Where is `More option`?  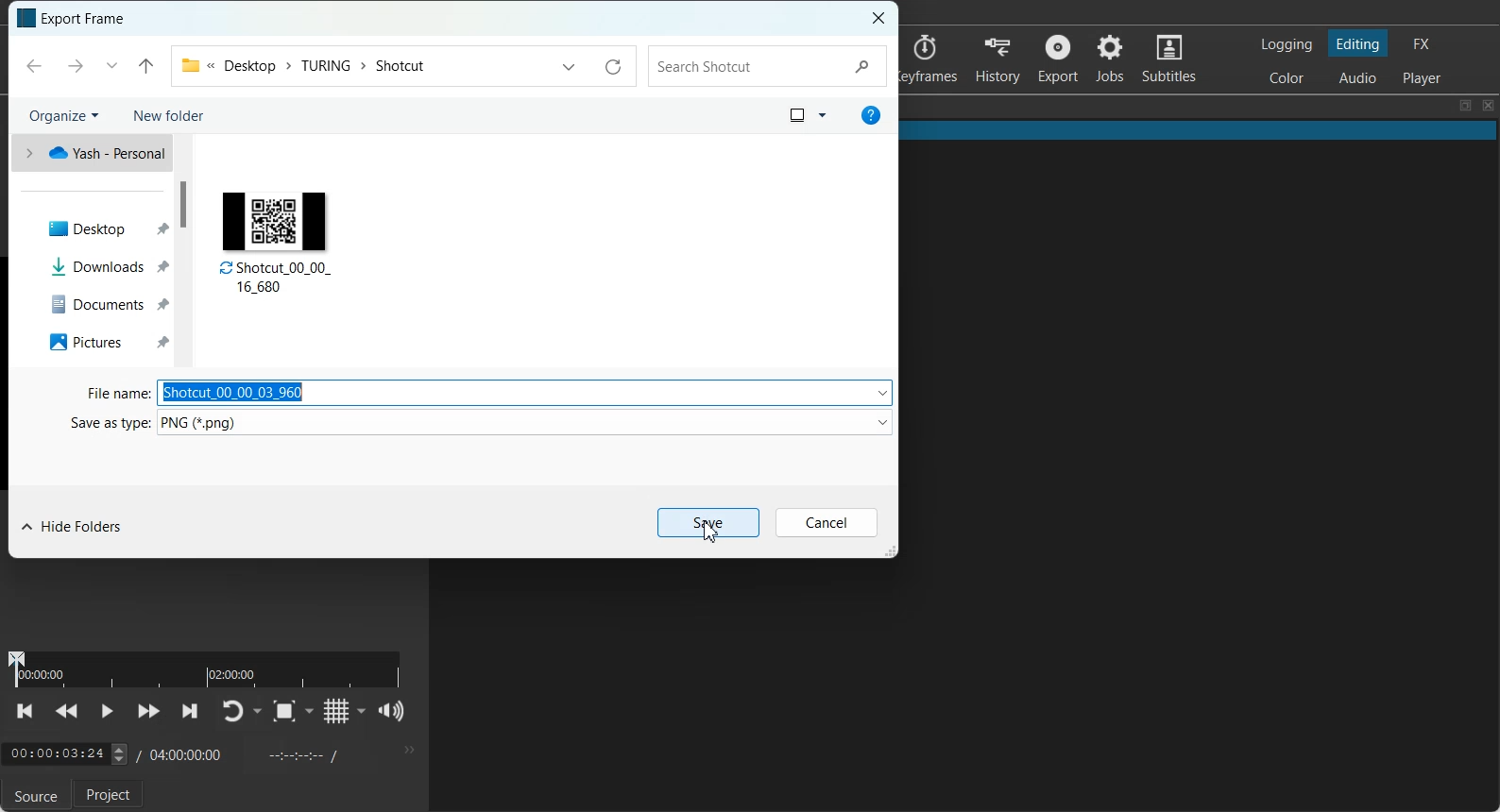
More option is located at coordinates (822, 114).